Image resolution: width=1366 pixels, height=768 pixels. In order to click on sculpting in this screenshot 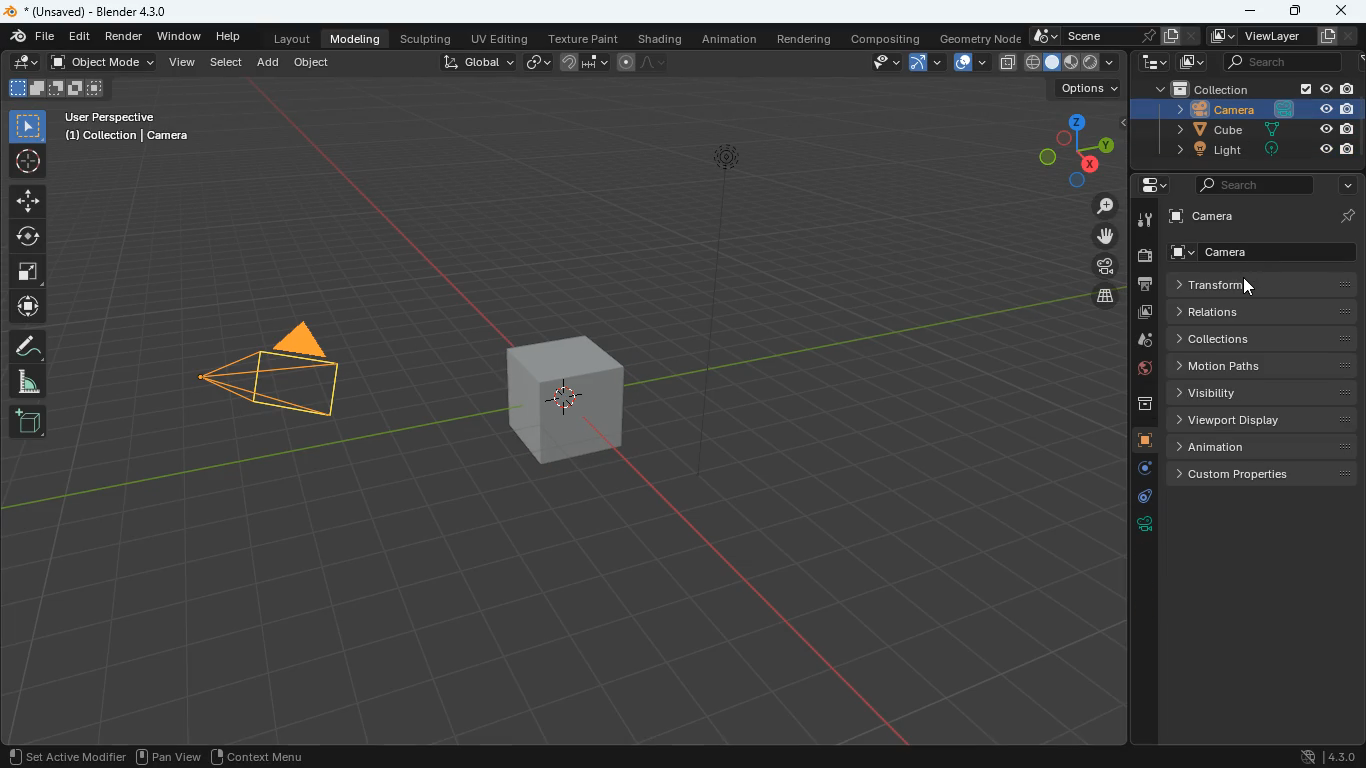, I will do `click(426, 39)`.